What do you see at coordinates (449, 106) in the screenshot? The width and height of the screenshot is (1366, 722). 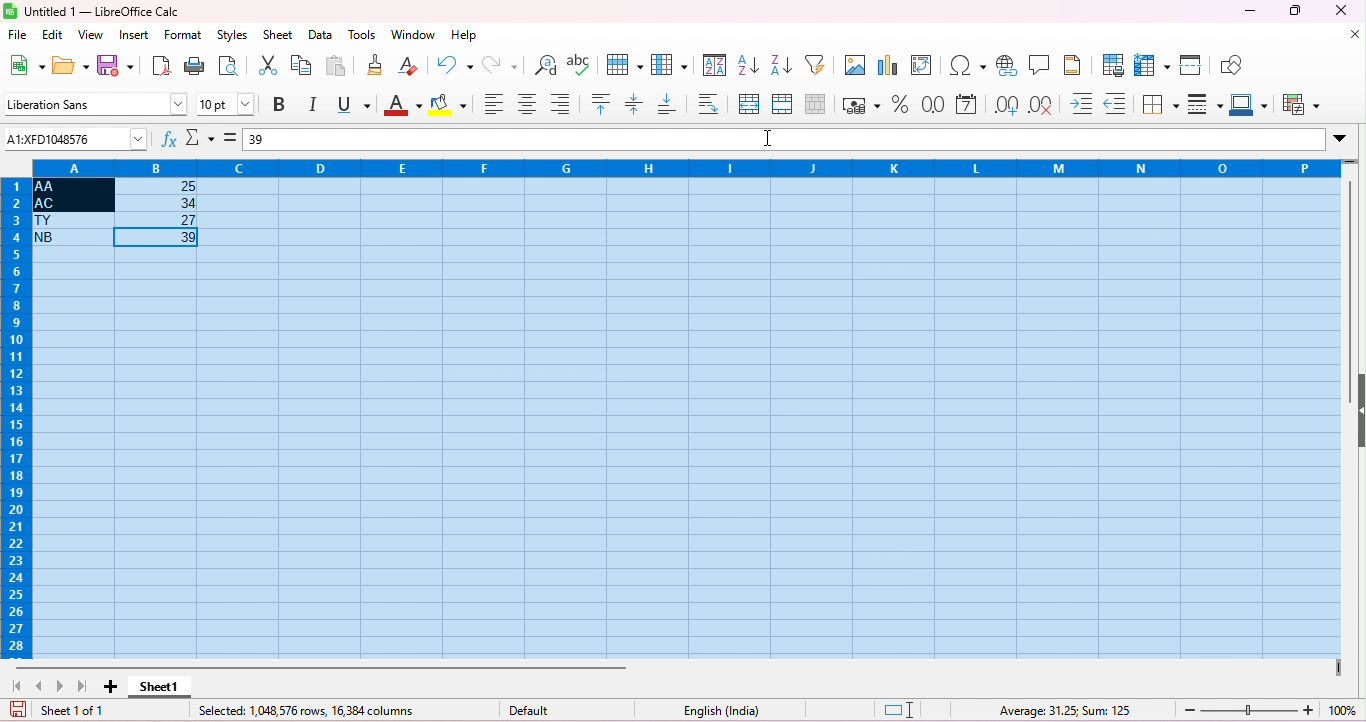 I see `background` at bounding box center [449, 106].